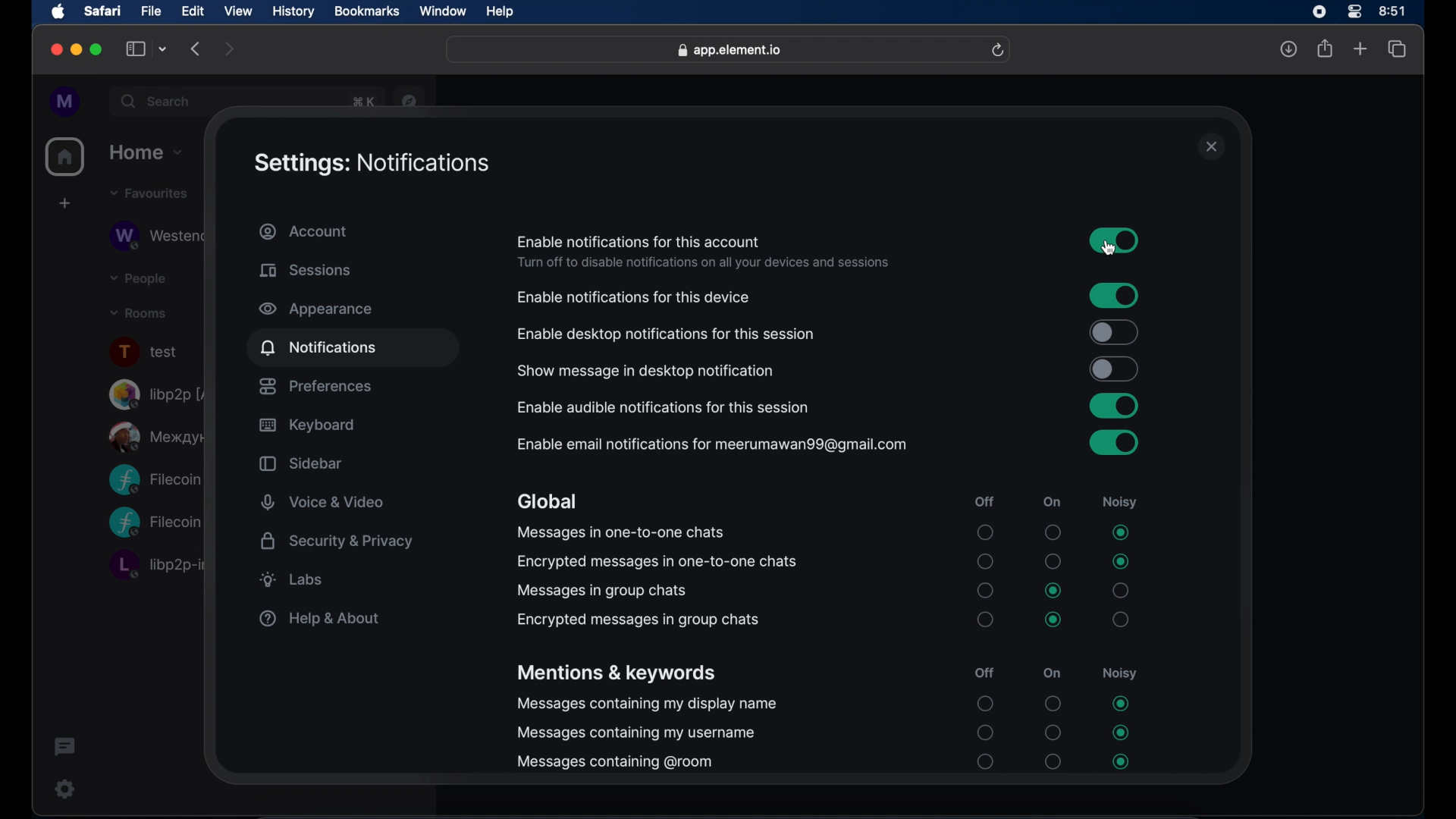  What do you see at coordinates (666, 335) in the screenshot?
I see `enable desktop notifications for this session` at bounding box center [666, 335].